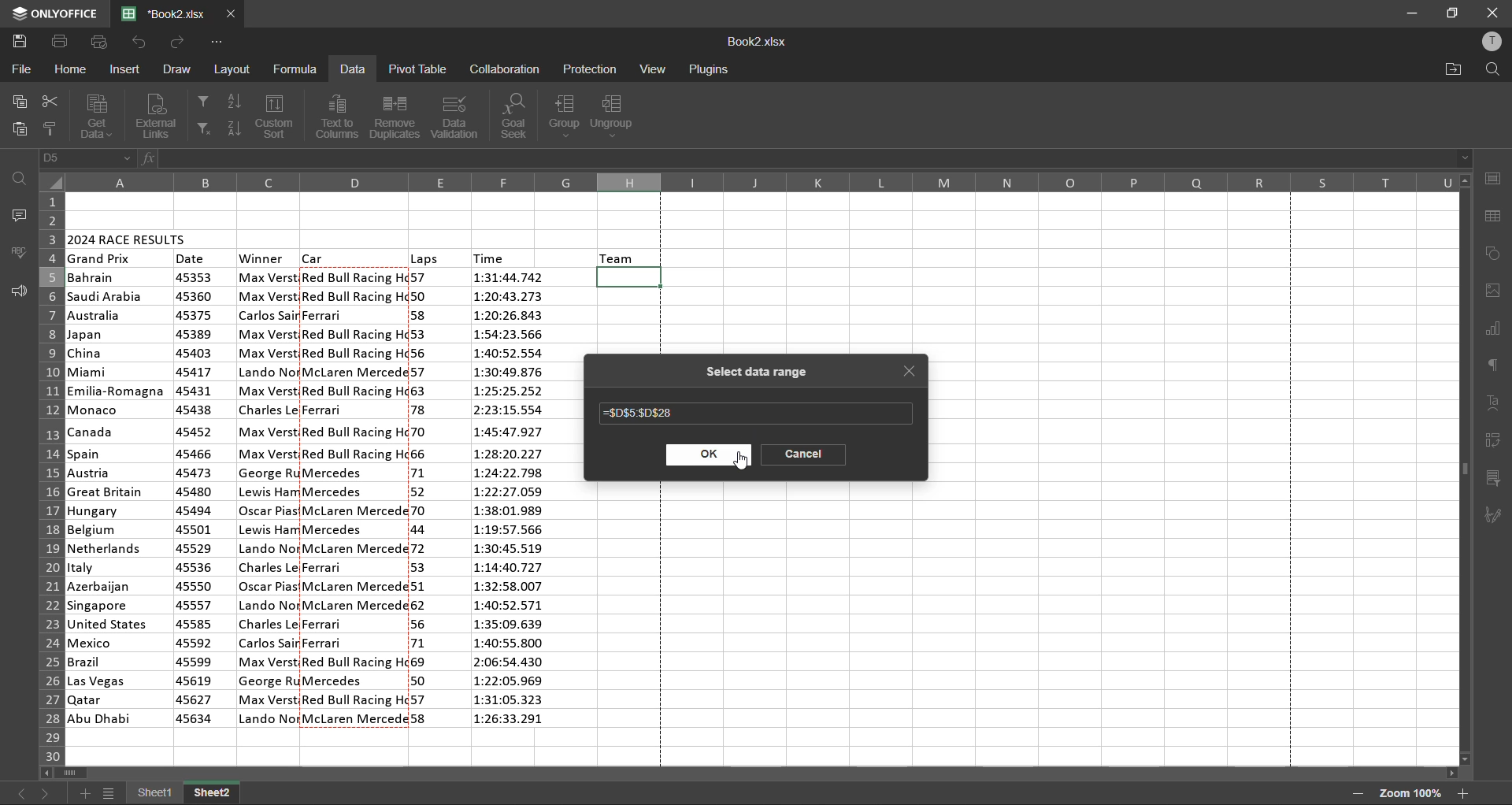 The height and width of the screenshot is (805, 1512). Describe the element at coordinates (632, 277) in the screenshot. I see `selected cell` at that location.